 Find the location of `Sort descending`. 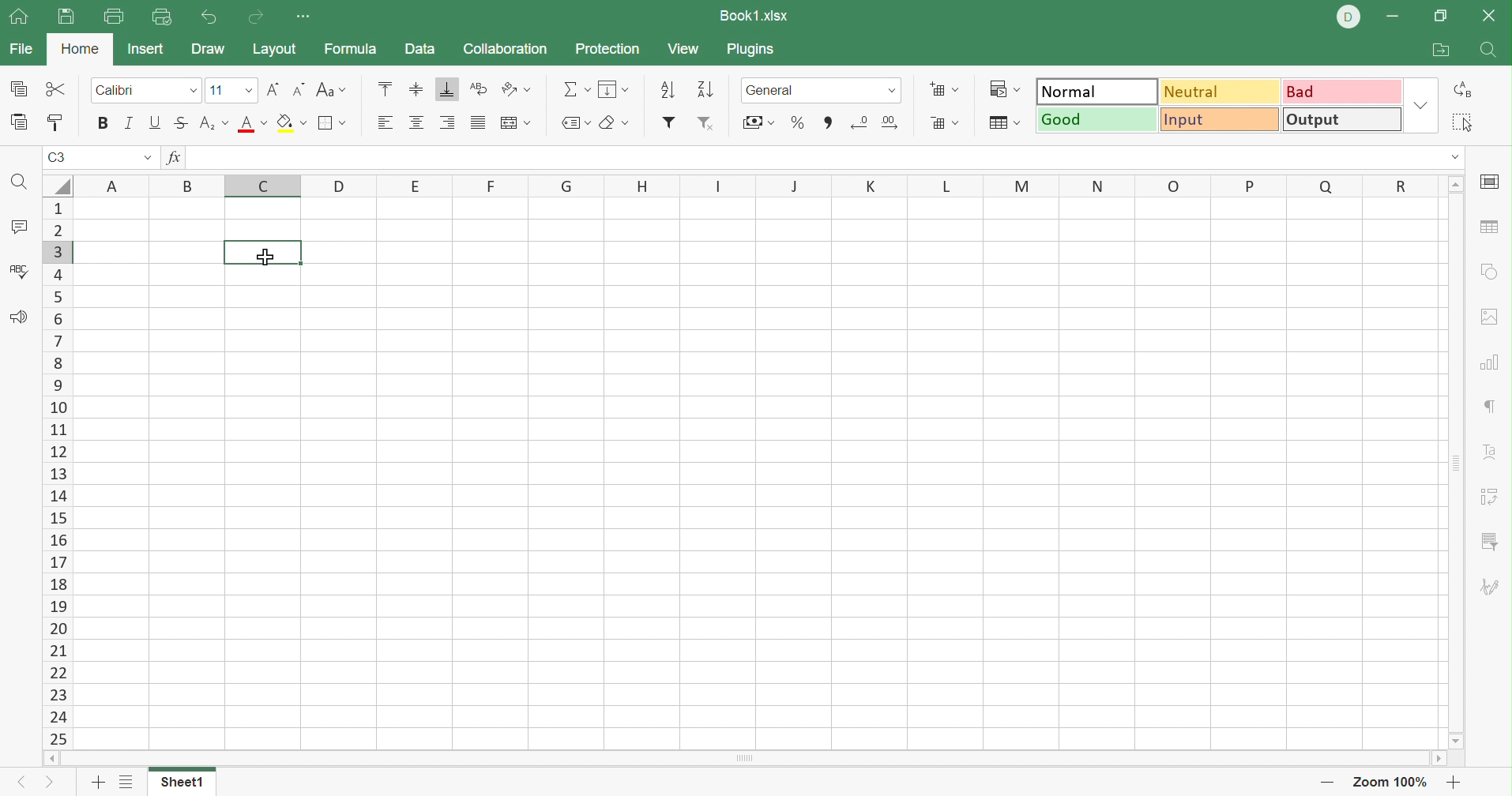

Sort descending is located at coordinates (705, 89).